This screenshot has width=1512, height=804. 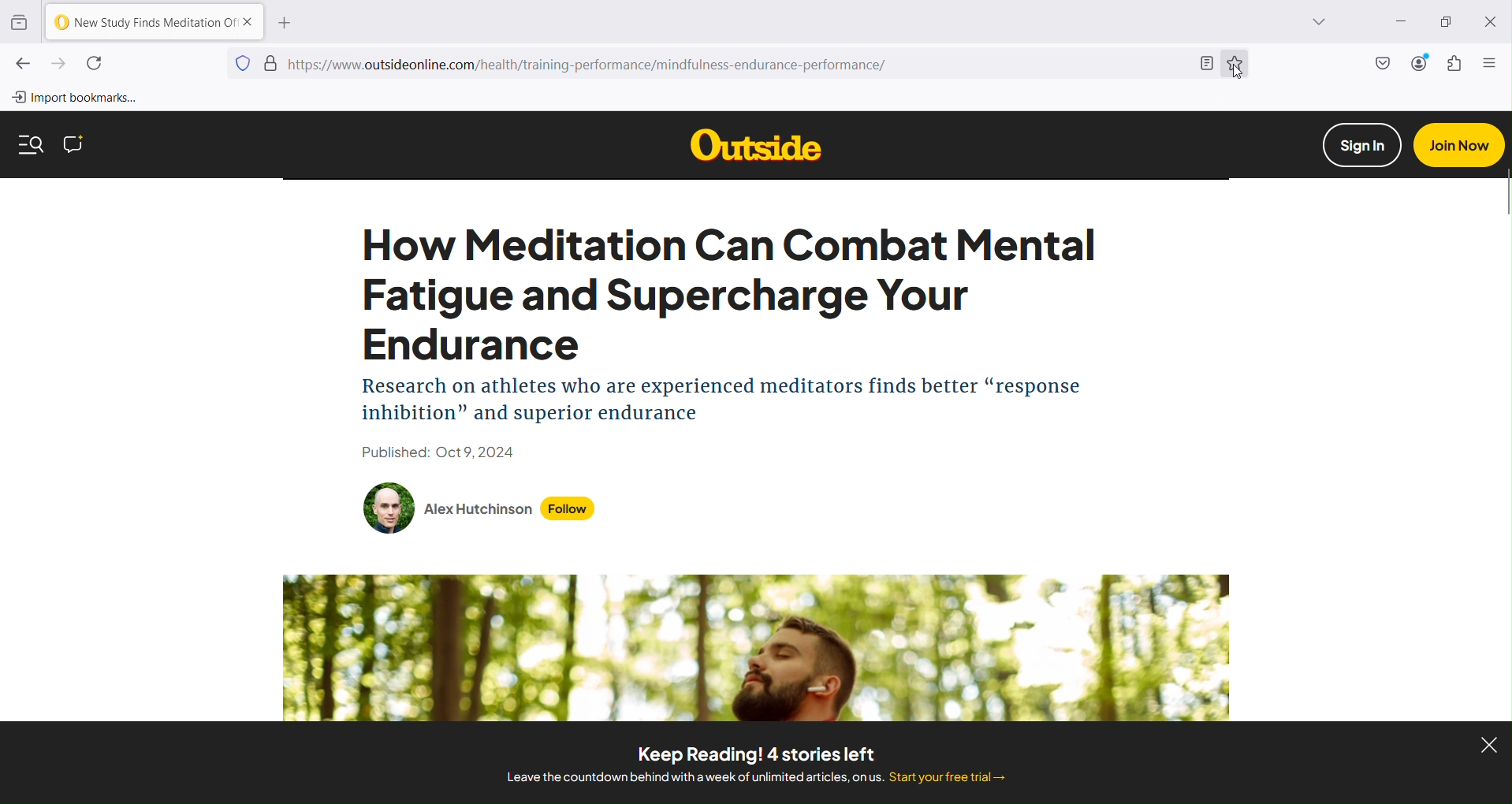 What do you see at coordinates (754, 763) in the screenshot?
I see `Text` at bounding box center [754, 763].